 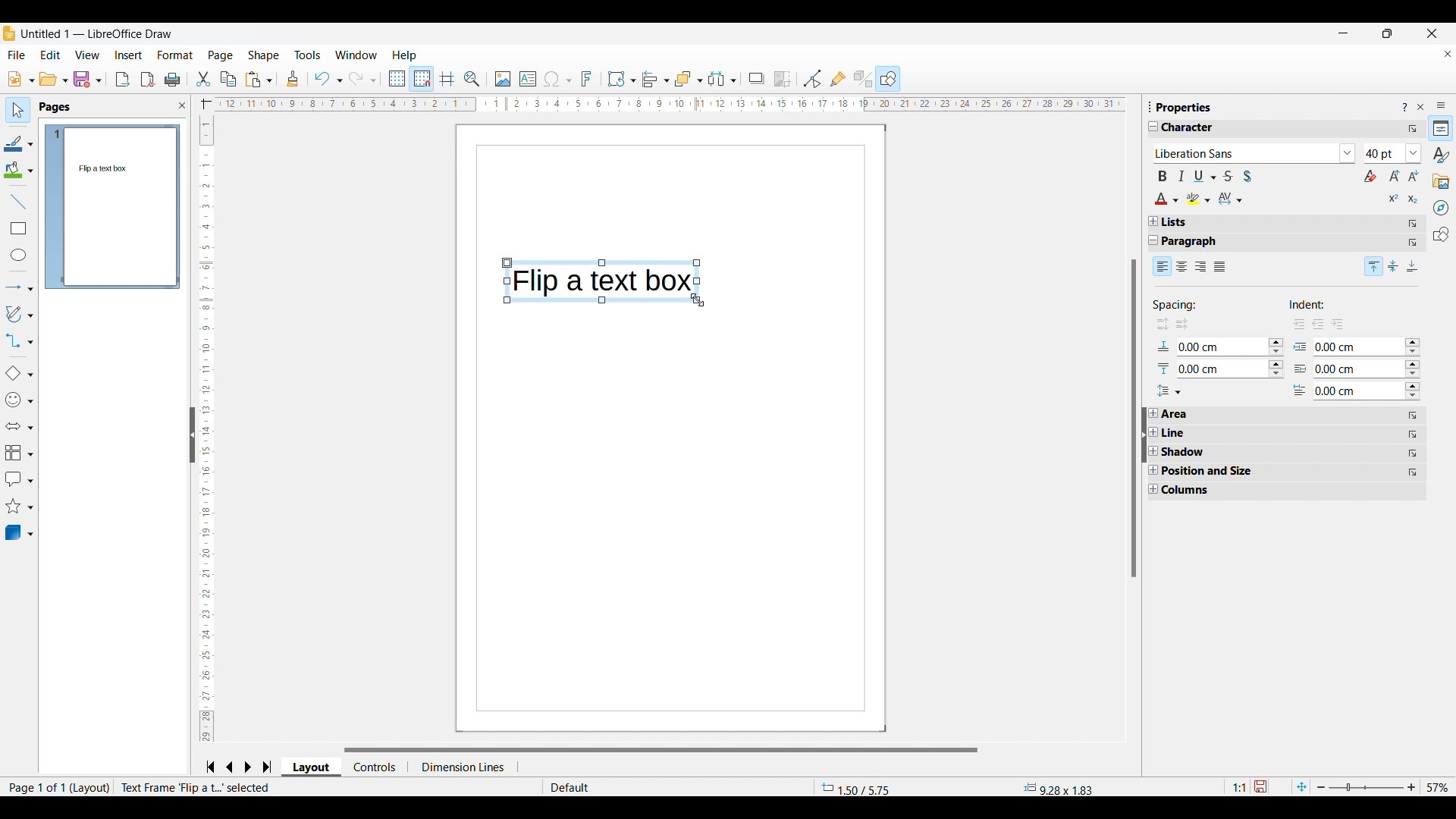 What do you see at coordinates (1394, 266) in the screenshot?
I see `Center alignment` at bounding box center [1394, 266].